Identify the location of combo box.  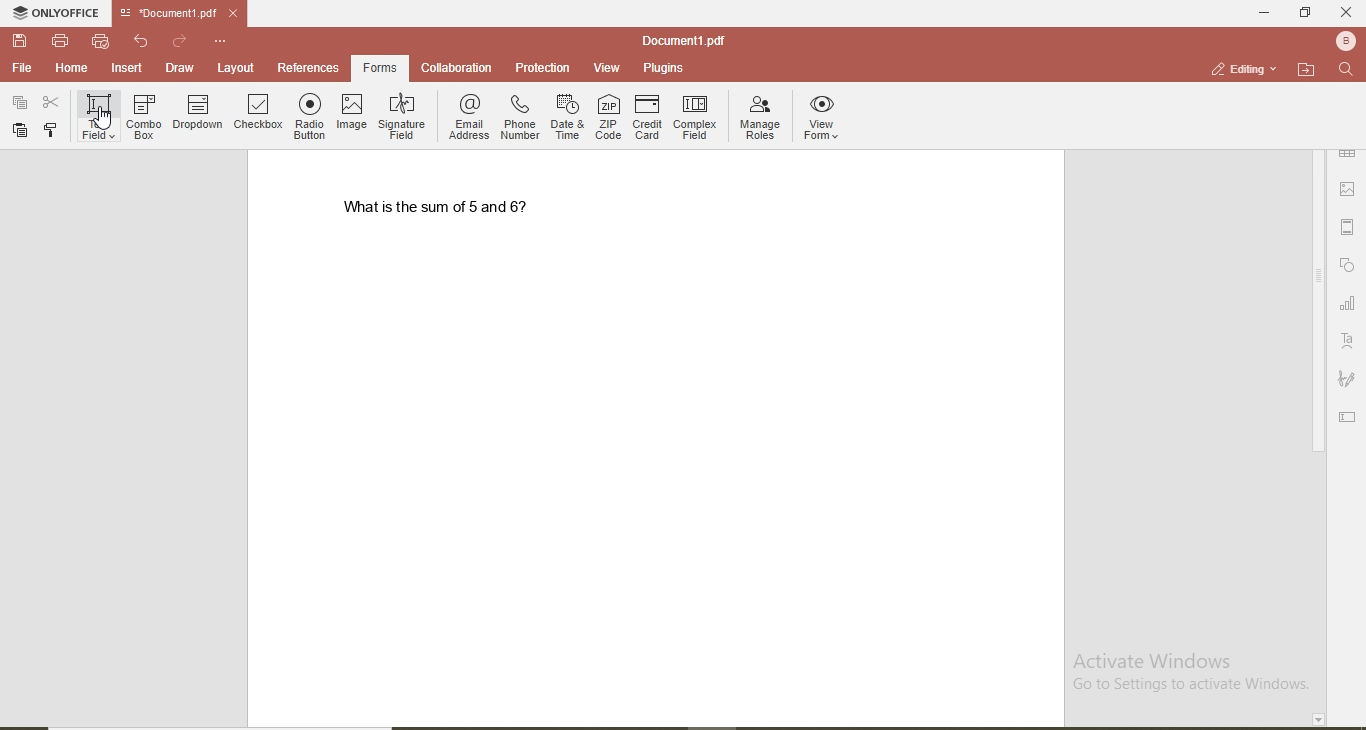
(143, 118).